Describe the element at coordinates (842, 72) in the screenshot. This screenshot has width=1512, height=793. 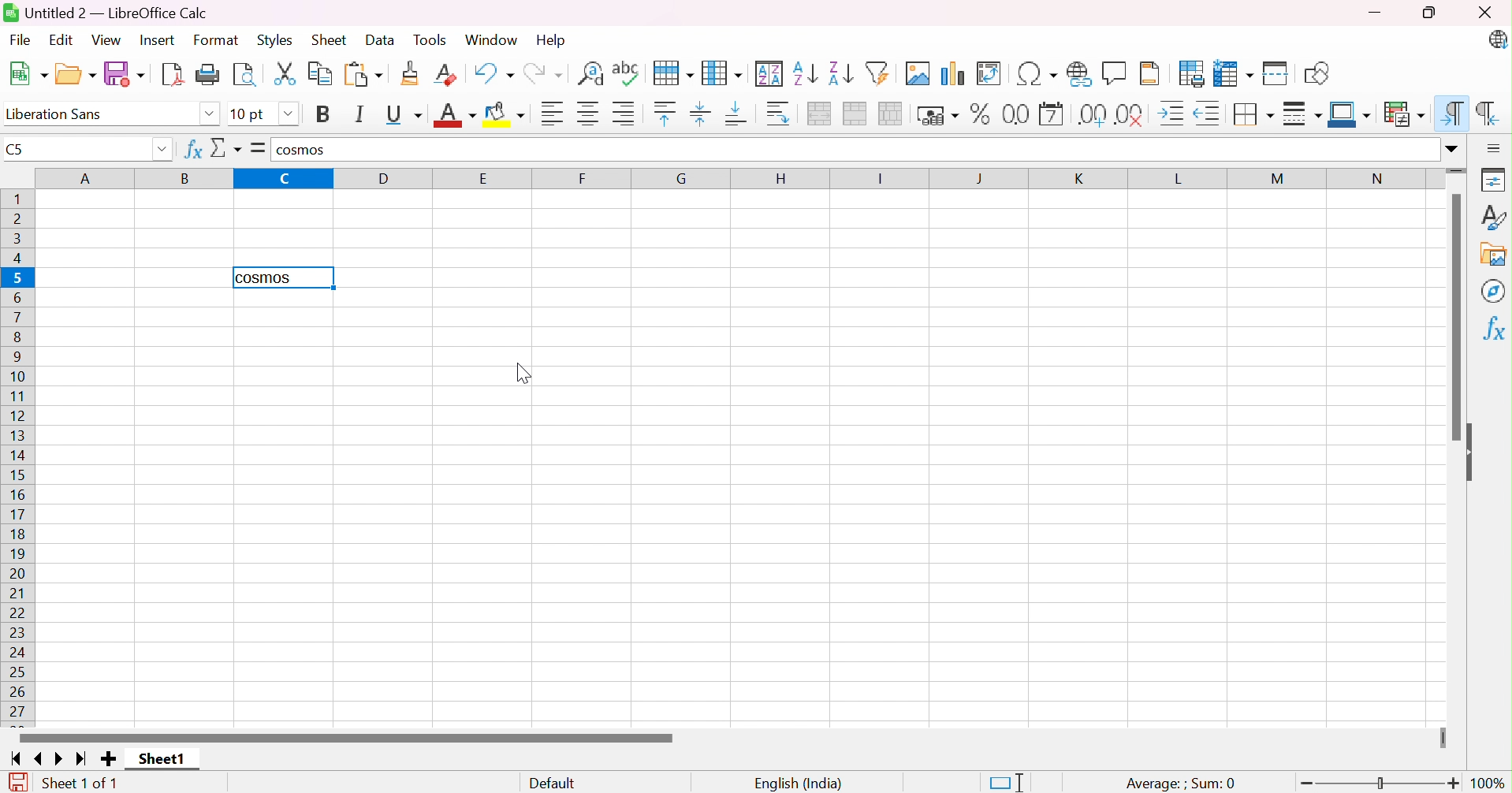
I see `Sort Descending` at that location.